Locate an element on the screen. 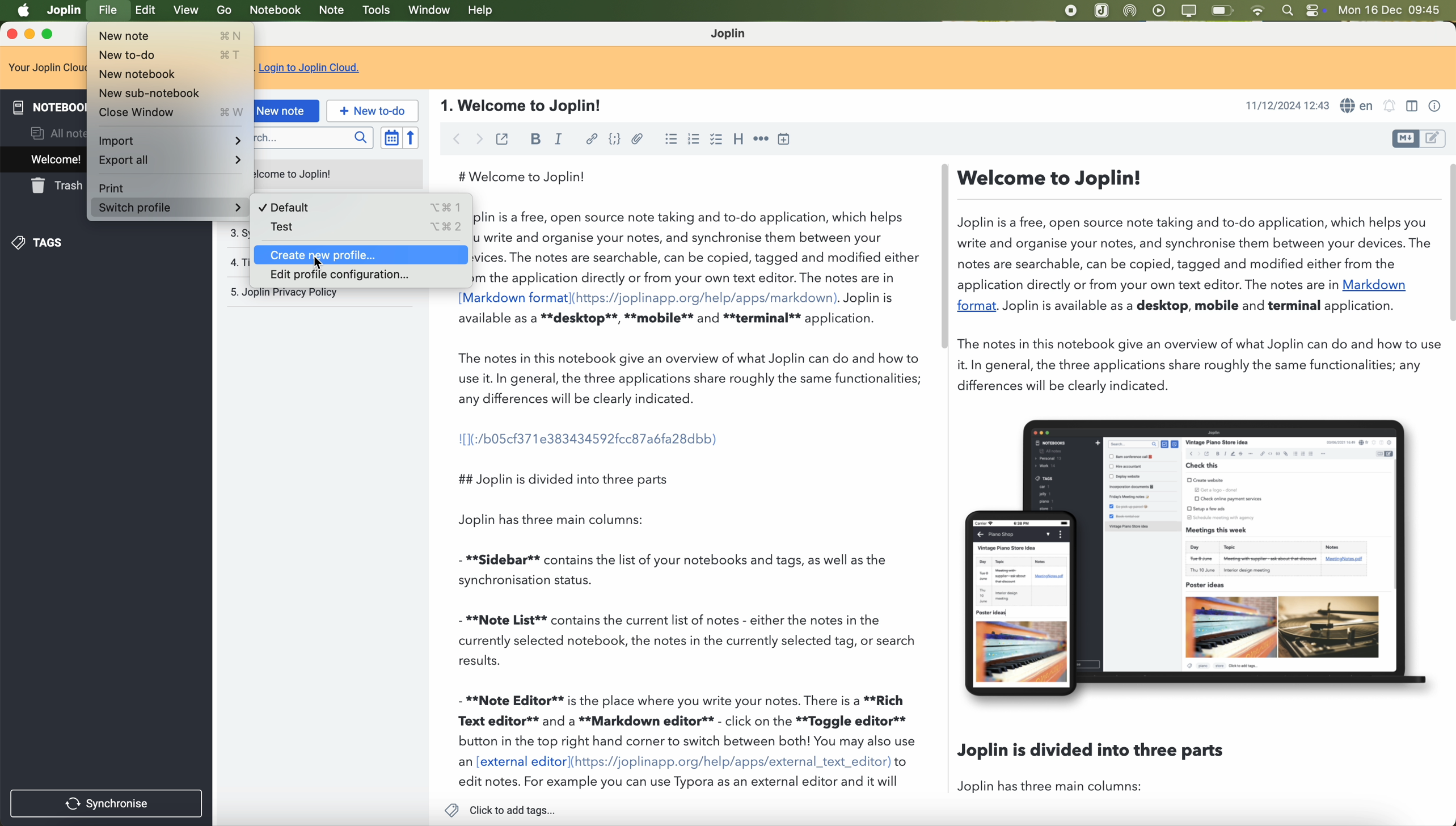  minimize is located at coordinates (30, 35).